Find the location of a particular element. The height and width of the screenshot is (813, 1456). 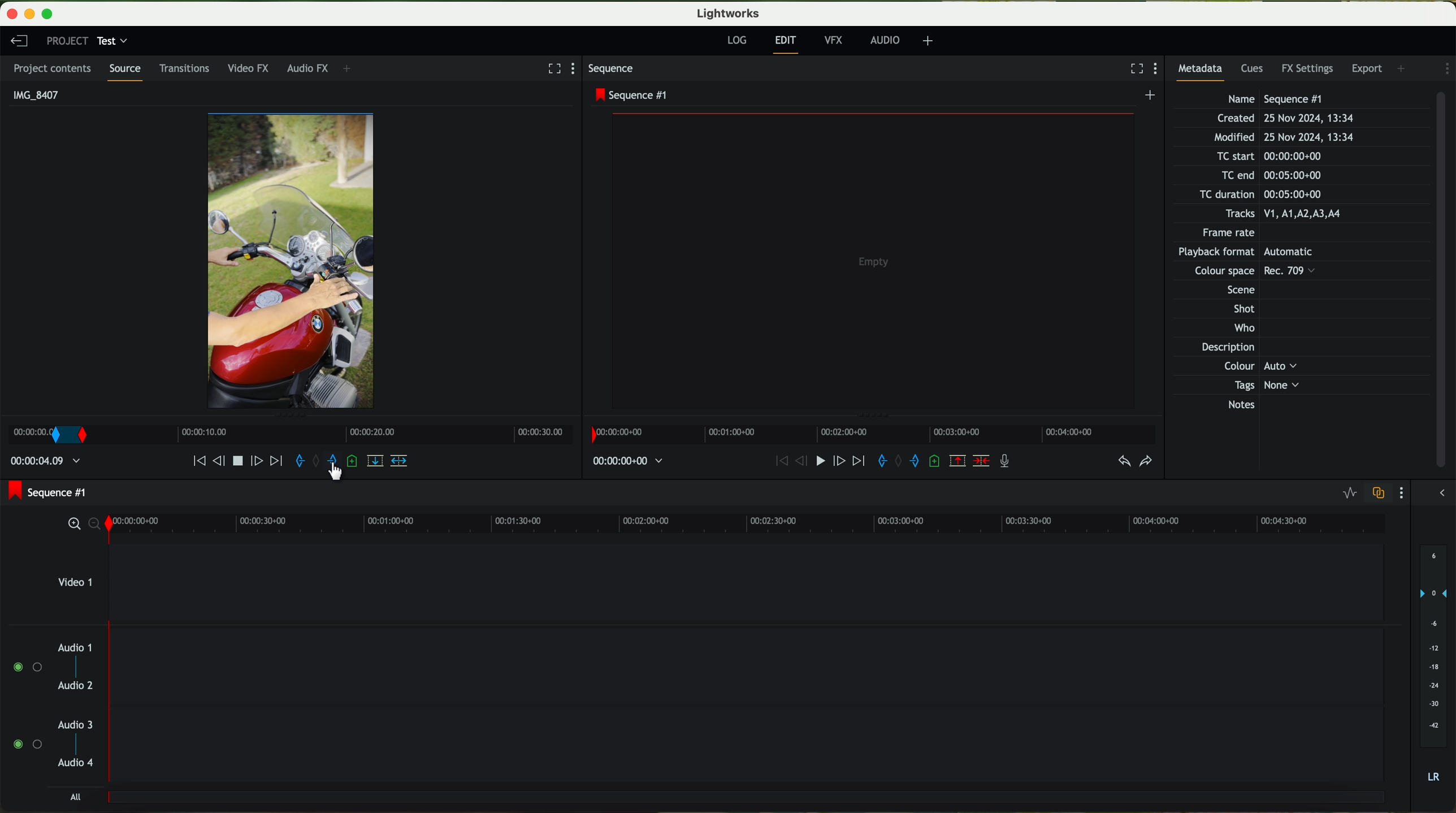

toggle audio levels editing is located at coordinates (1350, 494).